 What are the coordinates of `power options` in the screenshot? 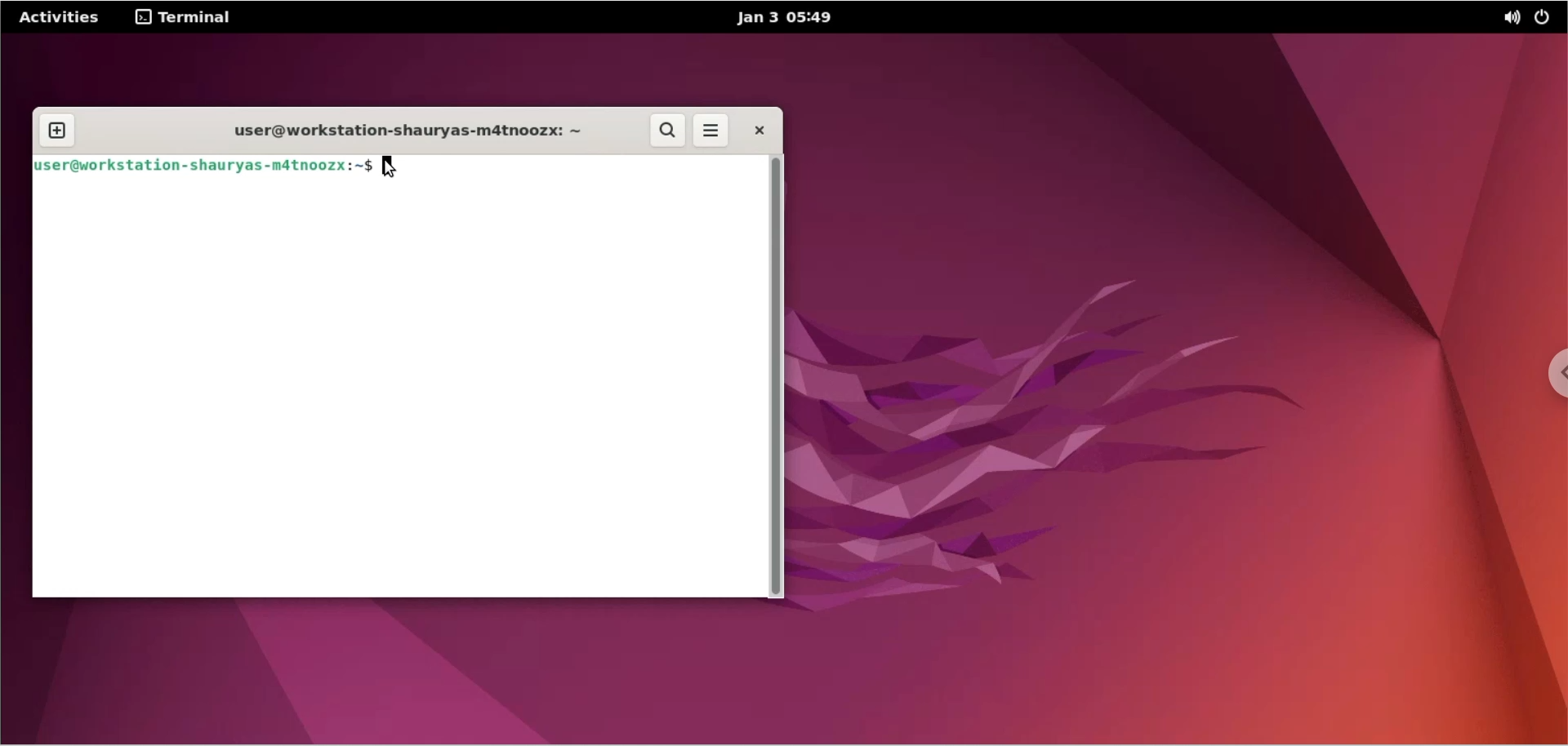 It's located at (1546, 20).